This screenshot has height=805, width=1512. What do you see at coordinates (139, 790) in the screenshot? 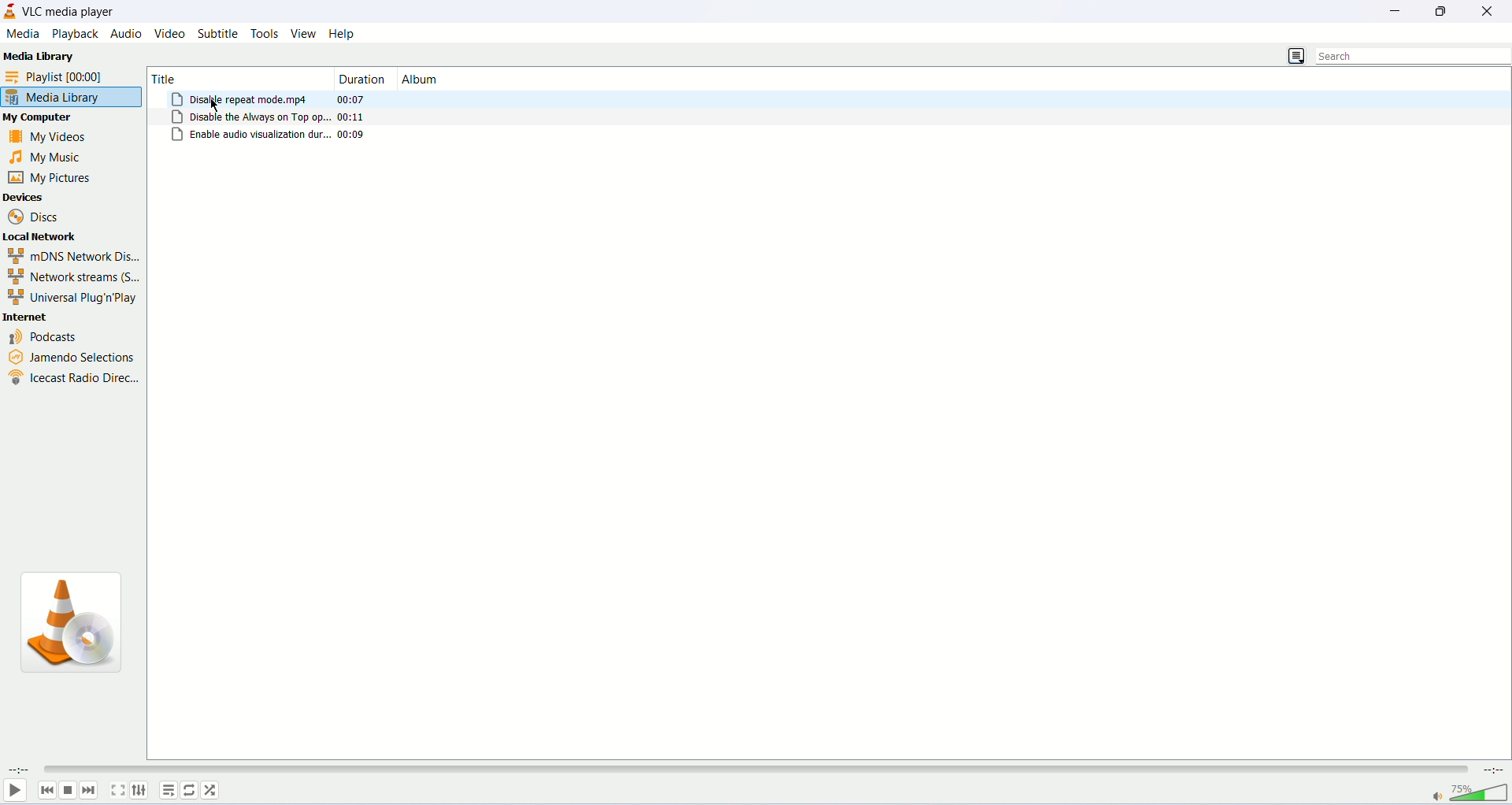
I see `extended settings` at bounding box center [139, 790].